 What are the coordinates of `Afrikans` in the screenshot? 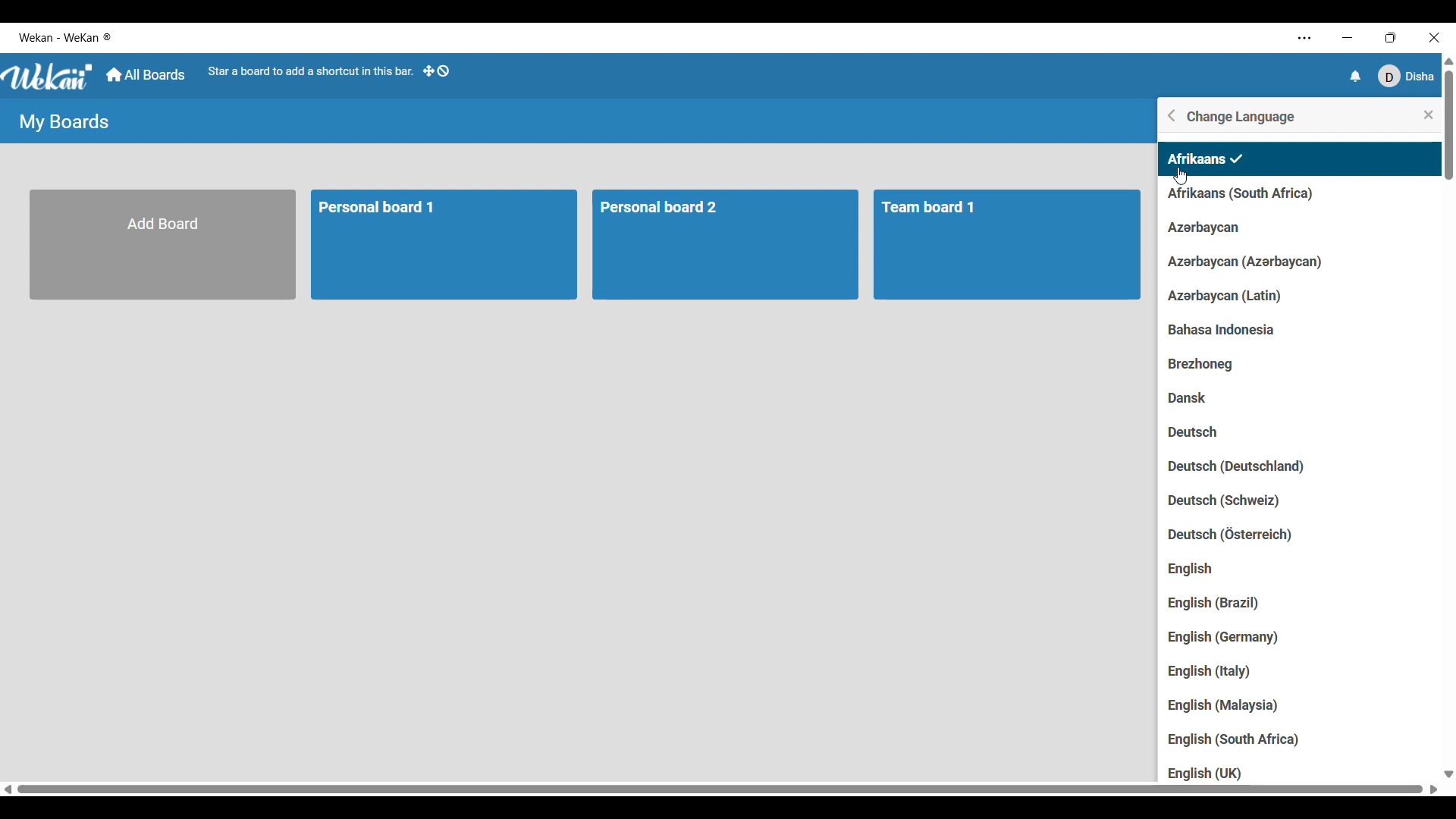 It's located at (1196, 157).